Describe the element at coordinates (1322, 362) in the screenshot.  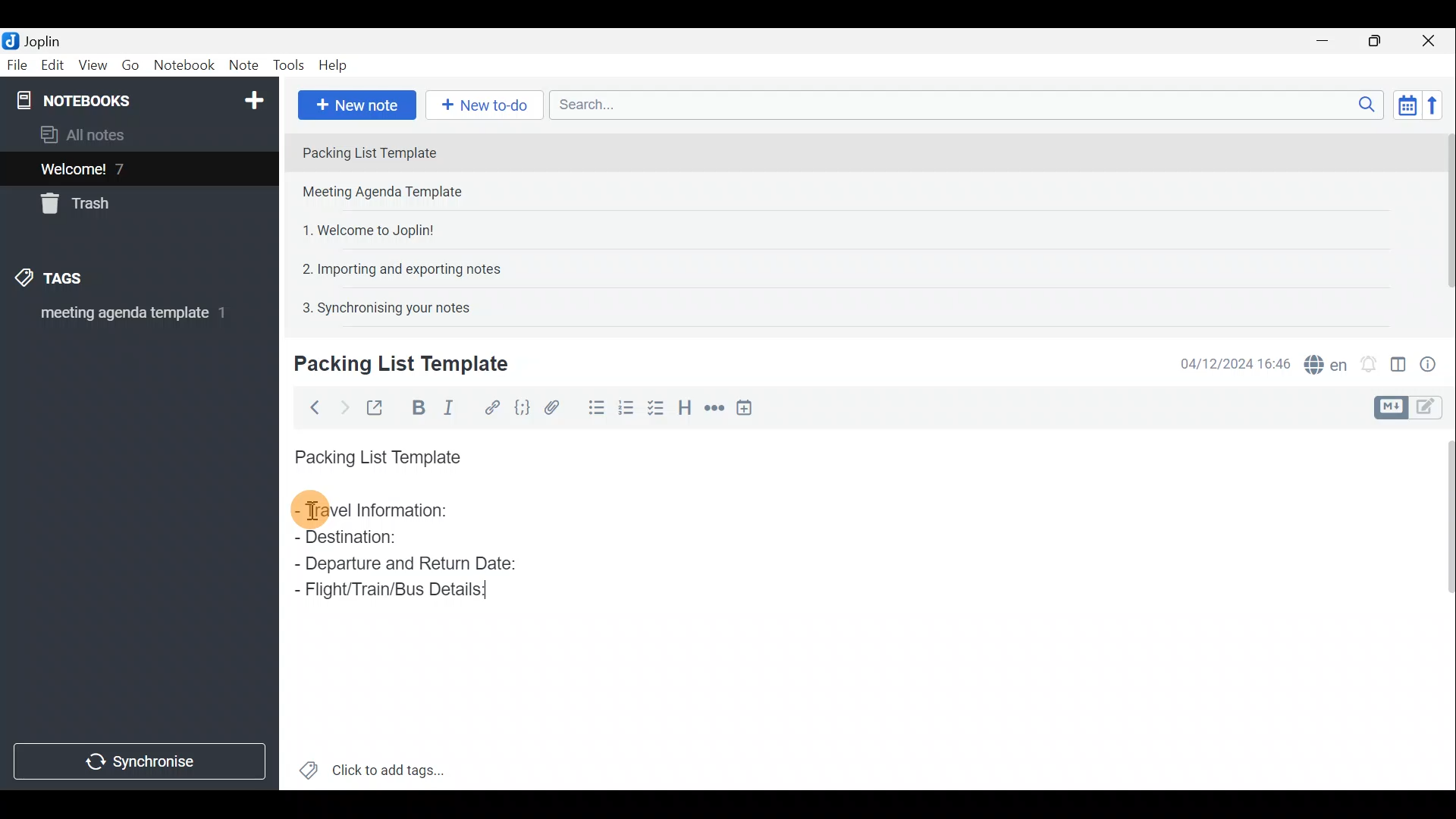
I see `Spell checker` at that location.